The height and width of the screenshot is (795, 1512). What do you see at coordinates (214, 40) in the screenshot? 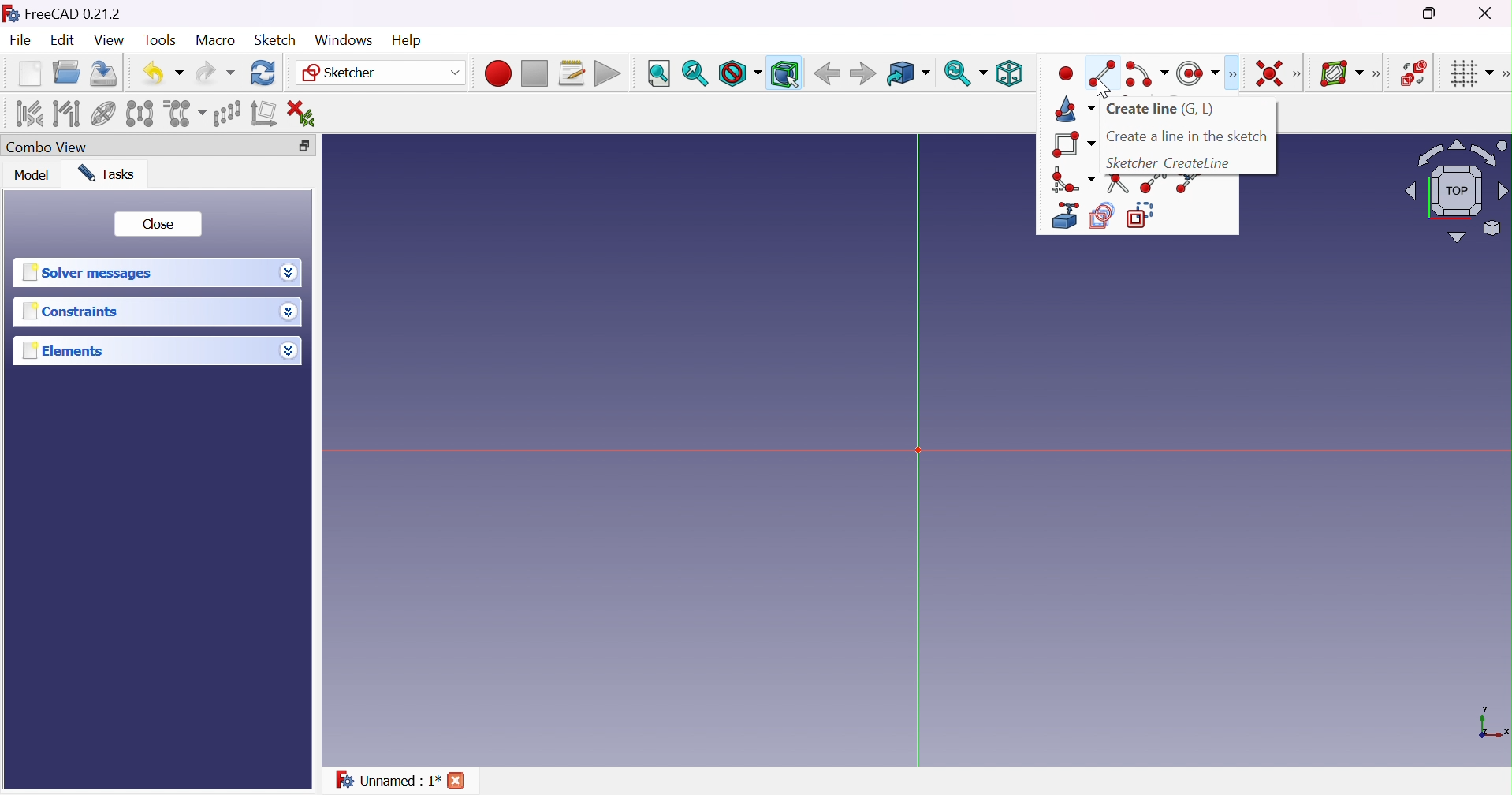
I see `Macro` at bounding box center [214, 40].